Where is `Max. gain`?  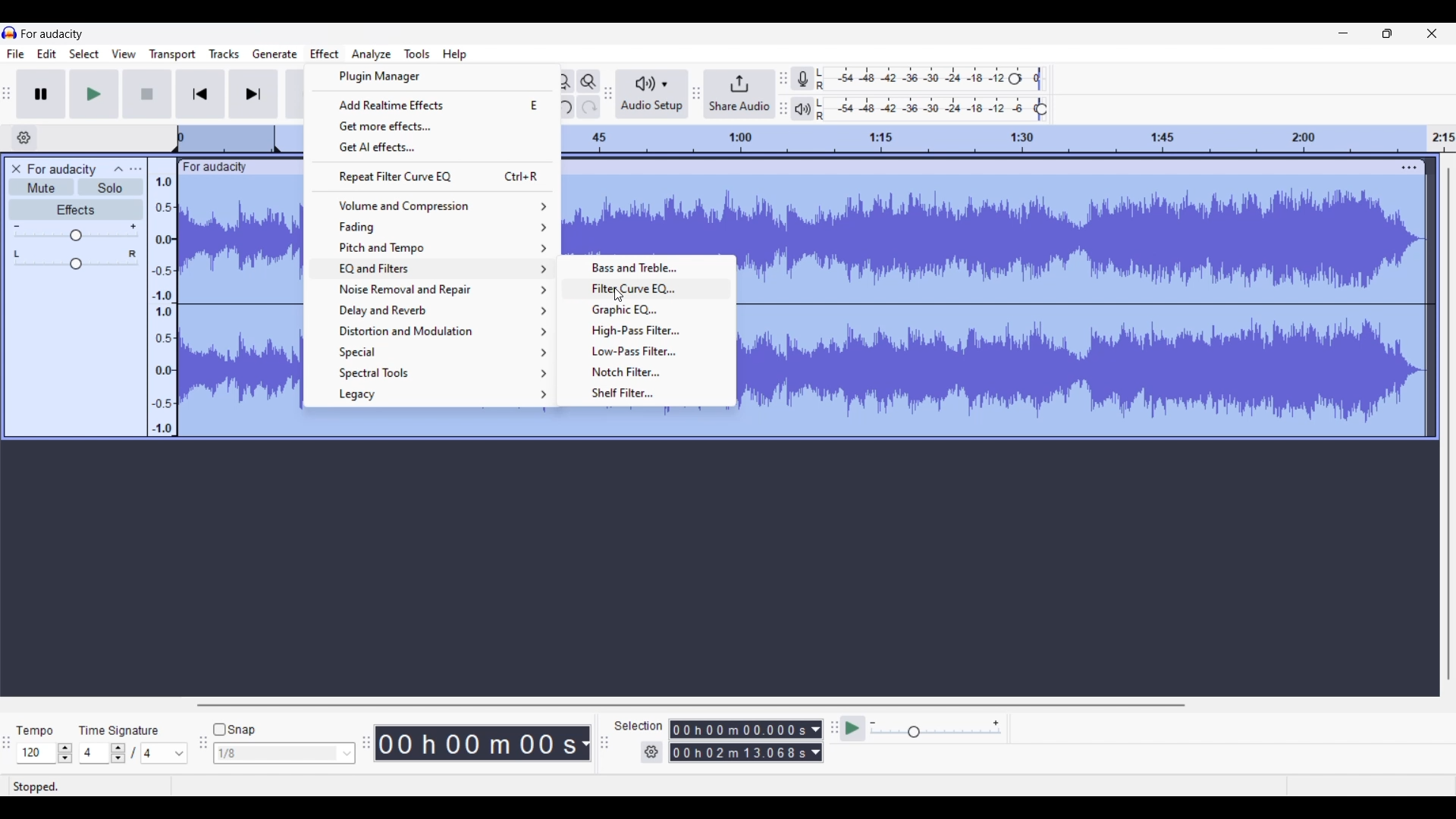 Max. gain is located at coordinates (133, 227).